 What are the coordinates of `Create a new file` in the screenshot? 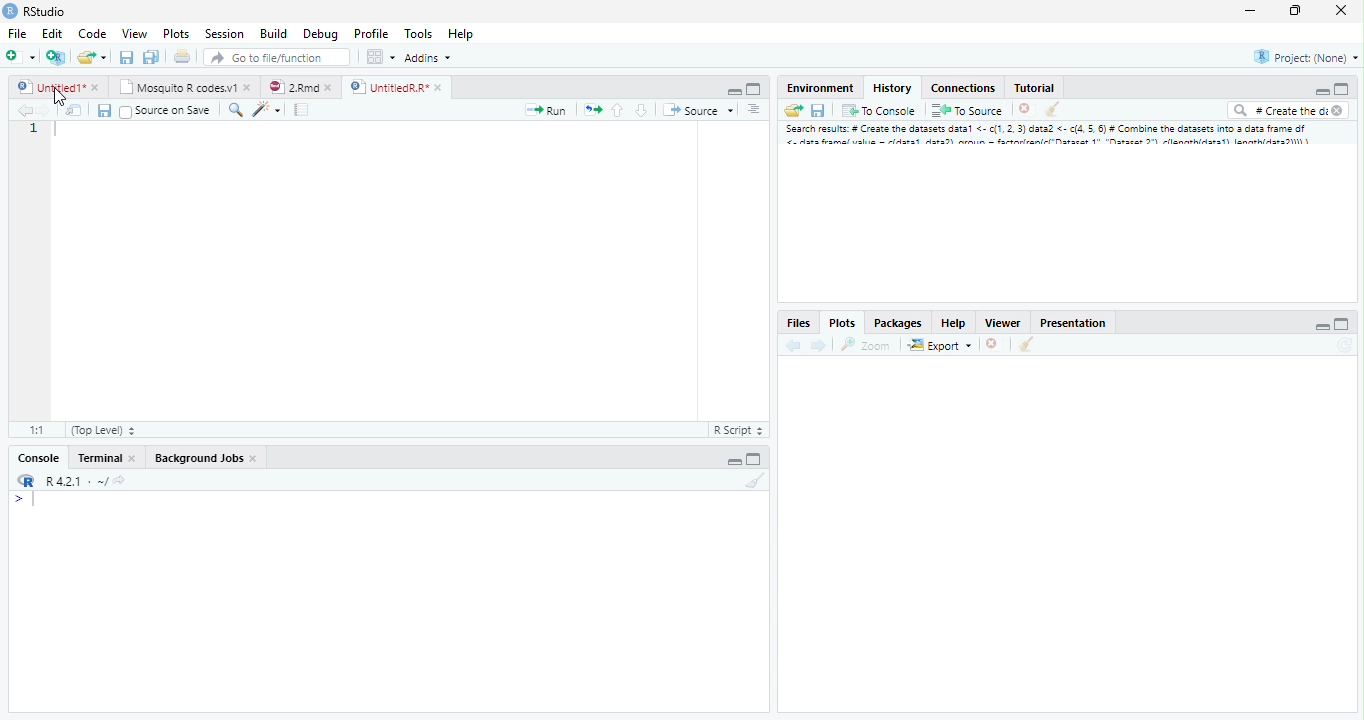 It's located at (94, 57).